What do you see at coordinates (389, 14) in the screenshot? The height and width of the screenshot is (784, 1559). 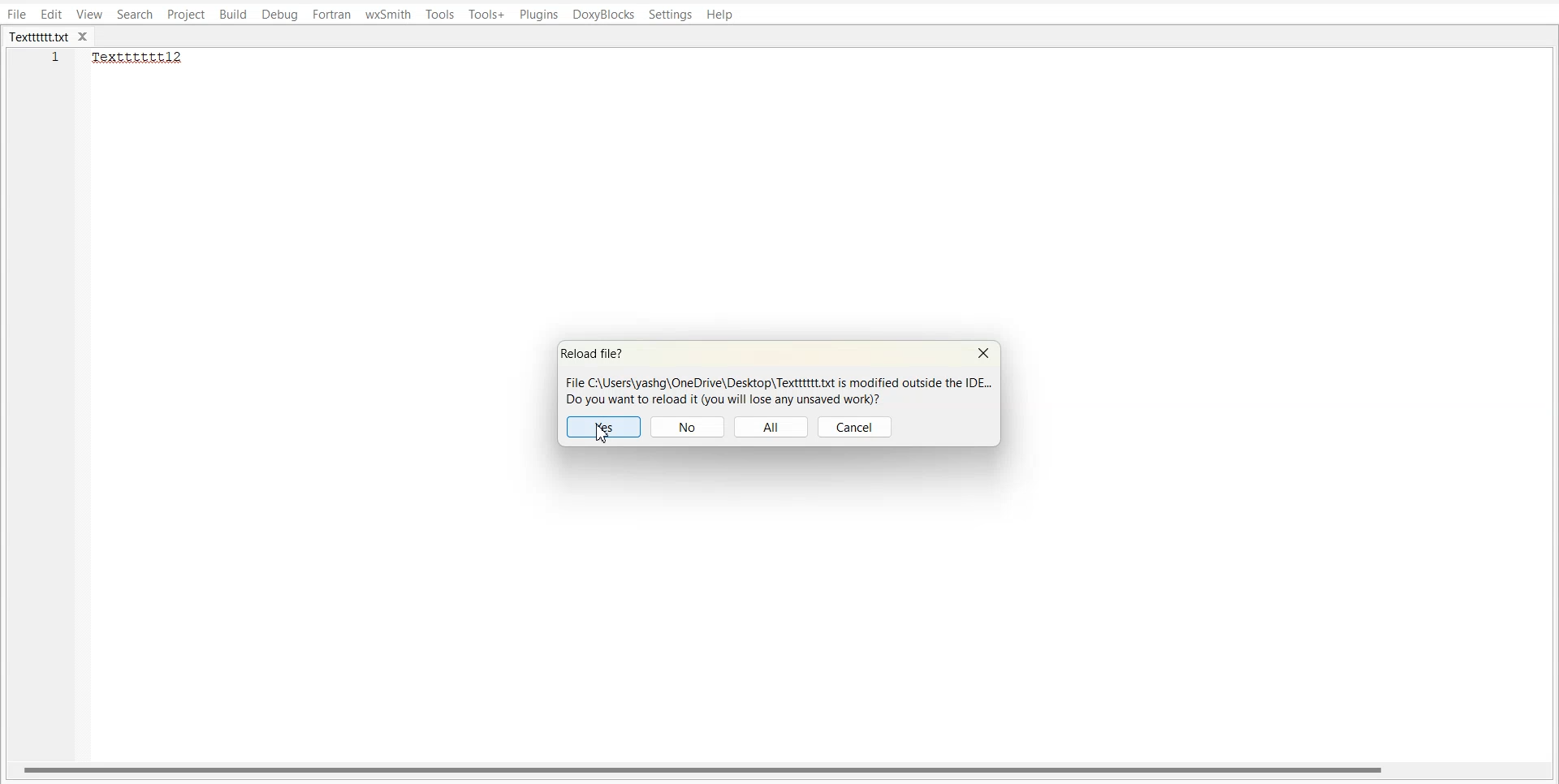 I see `wxSmith` at bounding box center [389, 14].